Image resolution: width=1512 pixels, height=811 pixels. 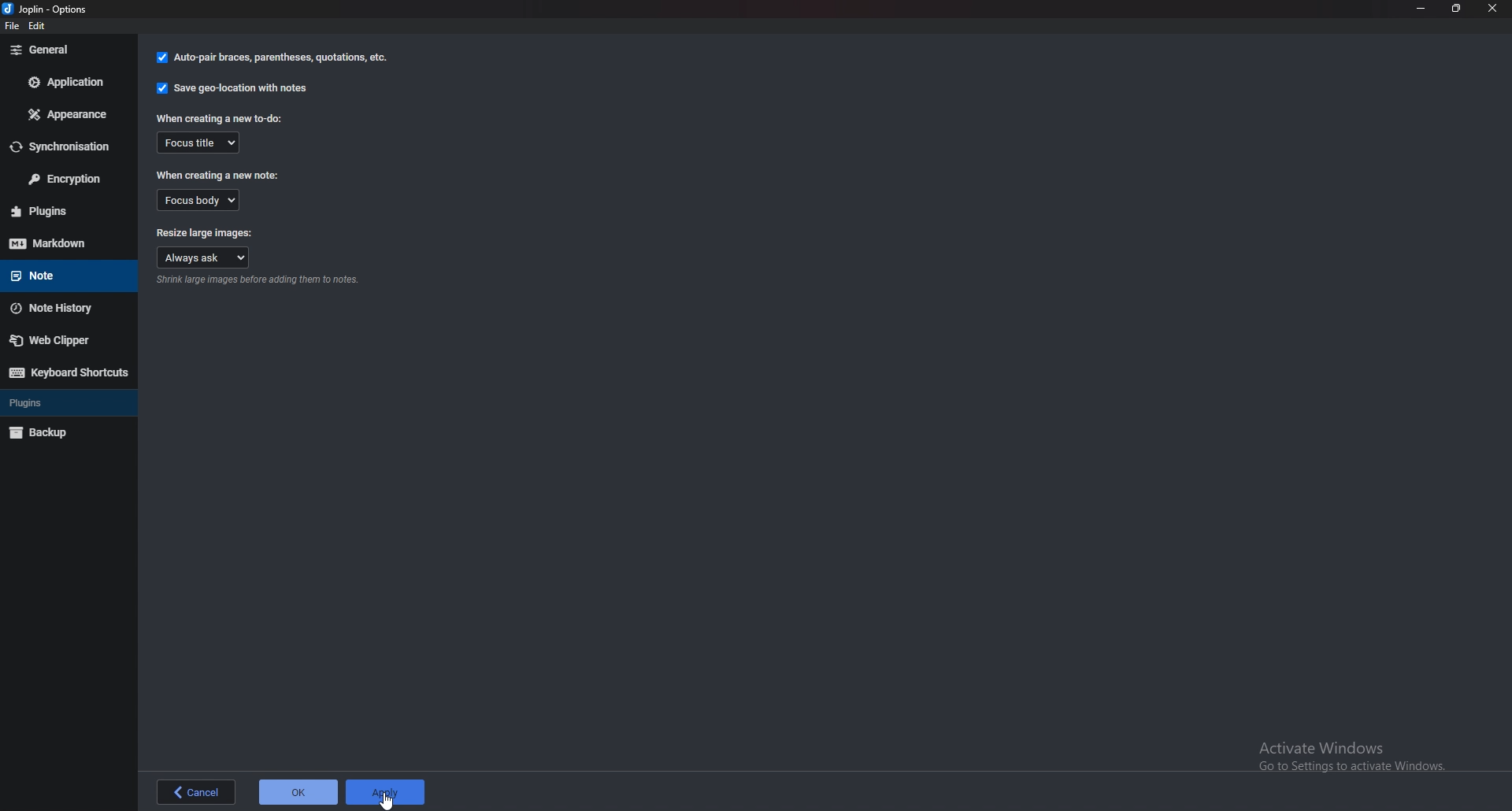 What do you see at coordinates (62, 402) in the screenshot?
I see `Plugins` at bounding box center [62, 402].